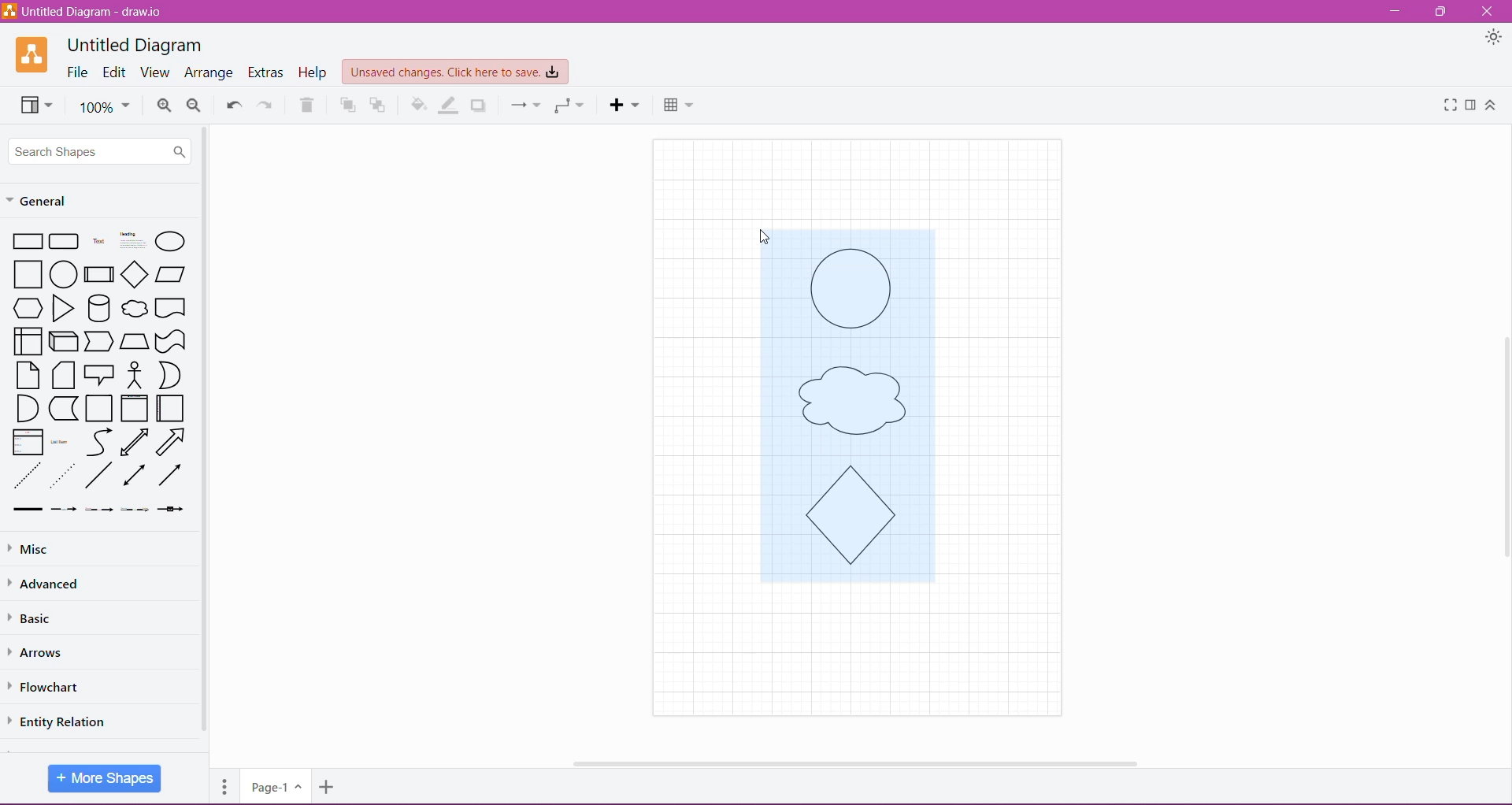 The width and height of the screenshot is (1512, 805). What do you see at coordinates (678, 103) in the screenshot?
I see `Table` at bounding box center [678, 103].